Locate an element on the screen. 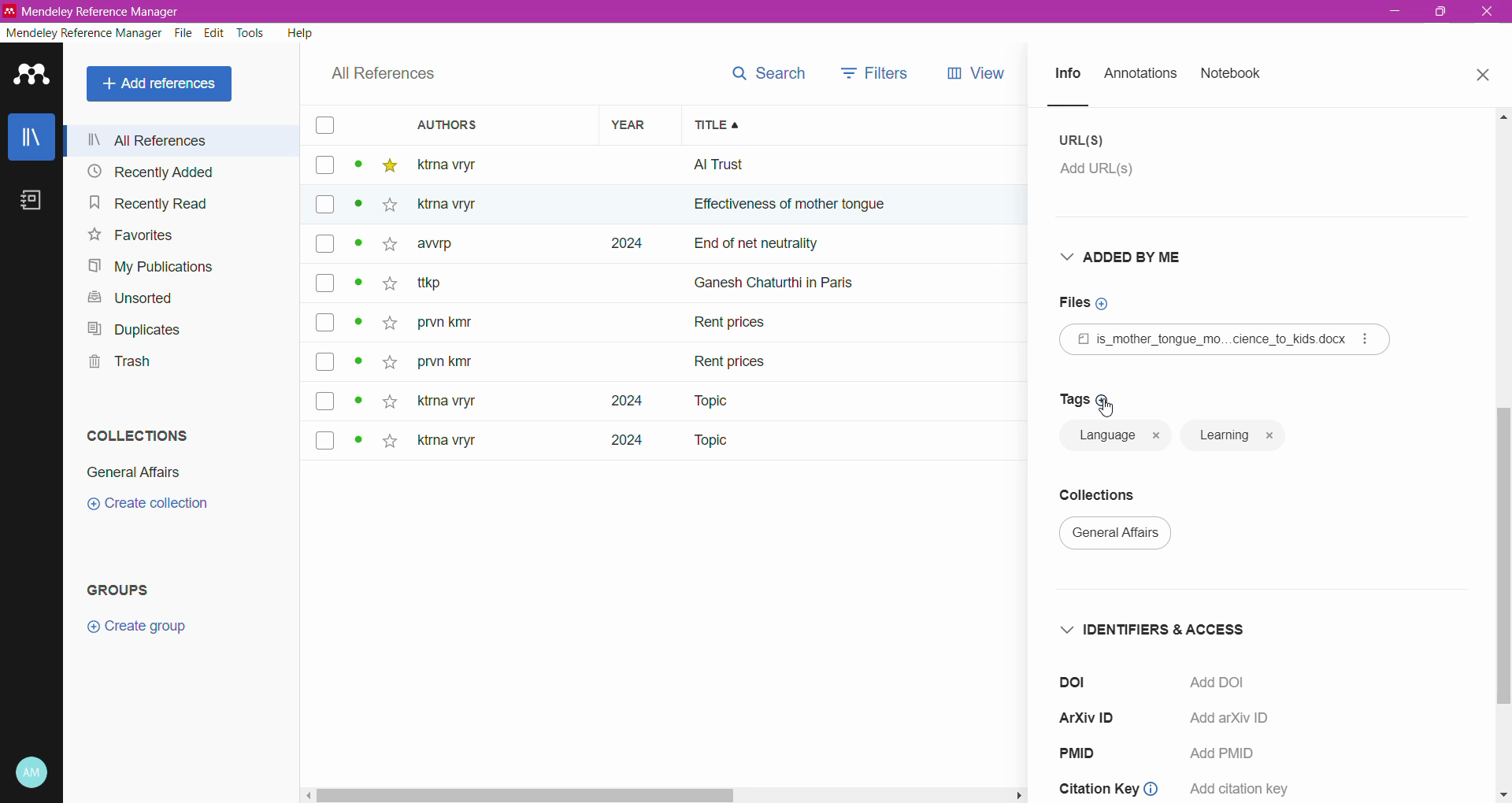  dot  is located at coordinates (360, 287).